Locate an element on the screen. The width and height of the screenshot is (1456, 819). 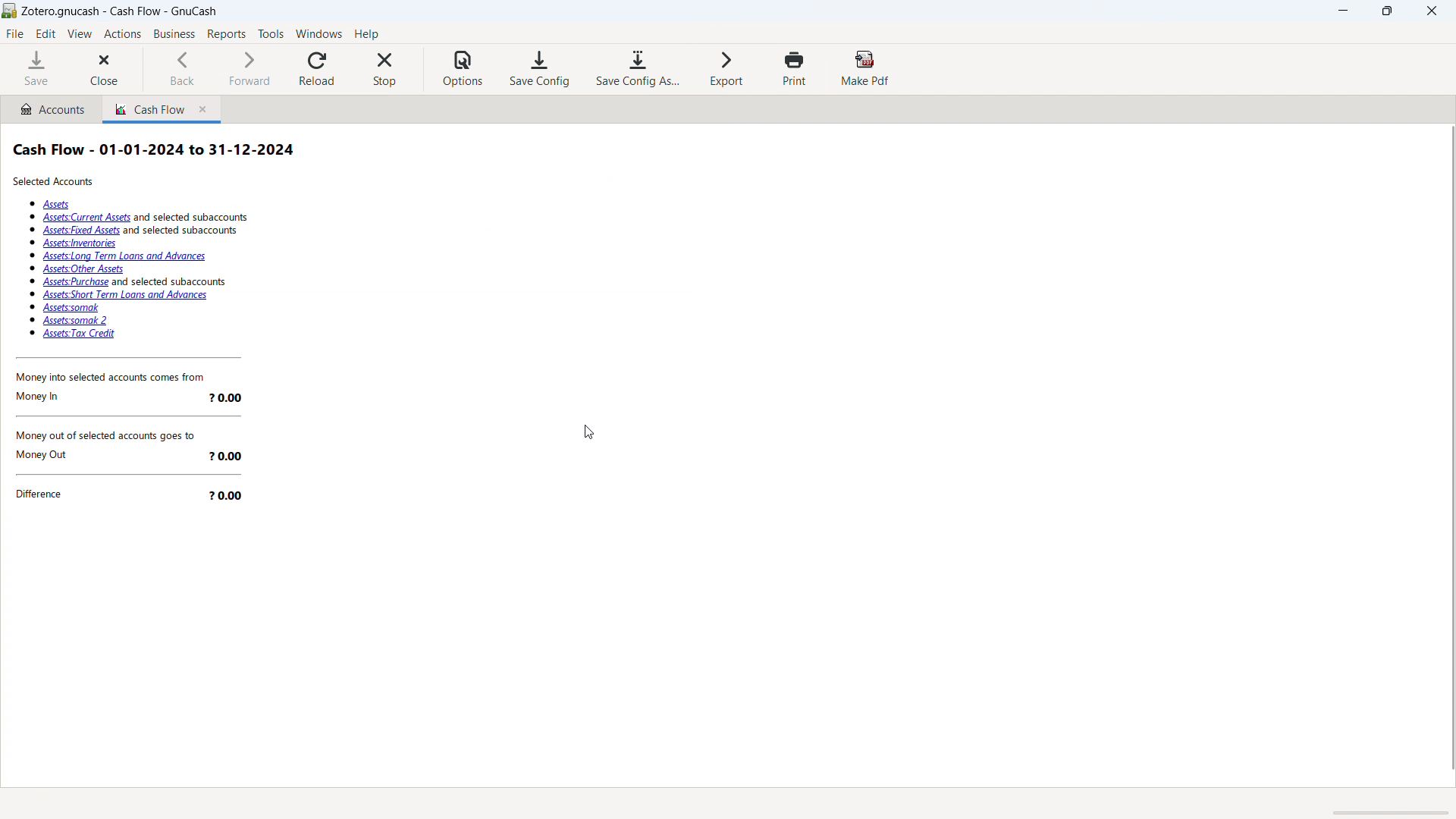
make pdf is located at coordinates (864, 69).